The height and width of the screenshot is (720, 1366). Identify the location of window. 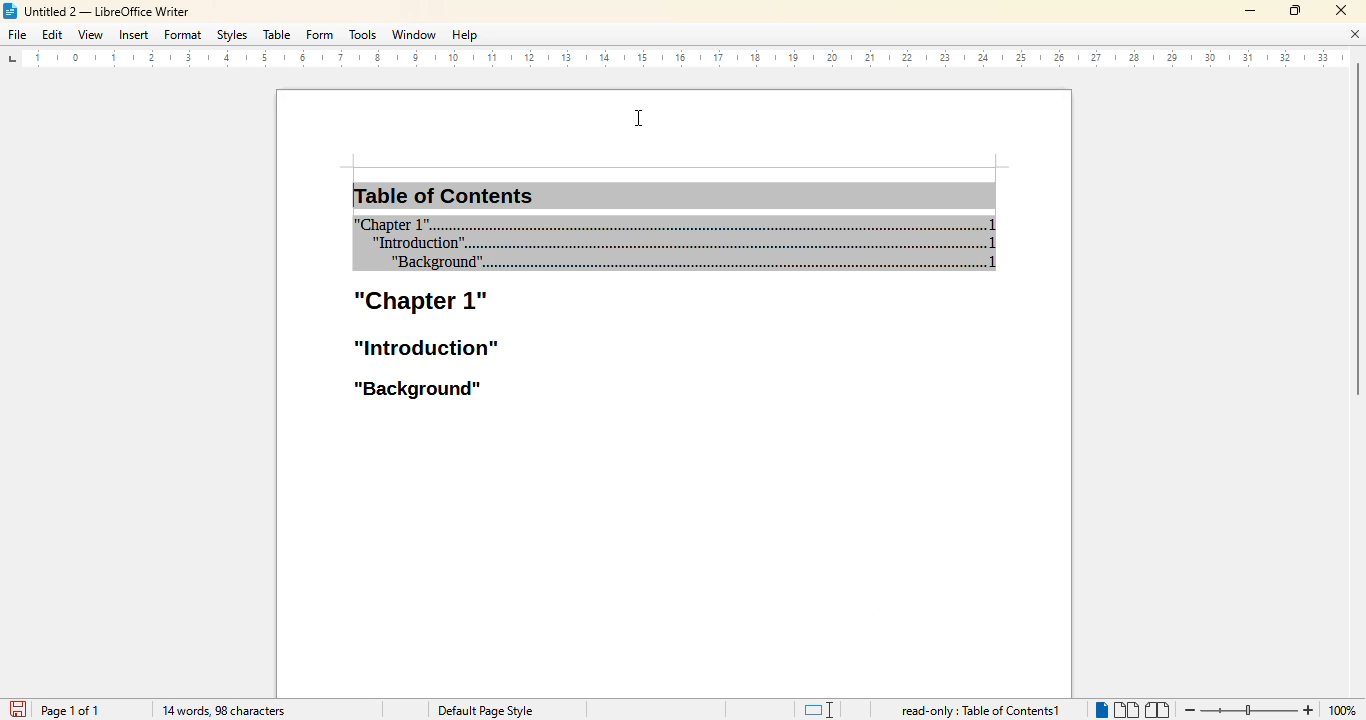
(415, 34).